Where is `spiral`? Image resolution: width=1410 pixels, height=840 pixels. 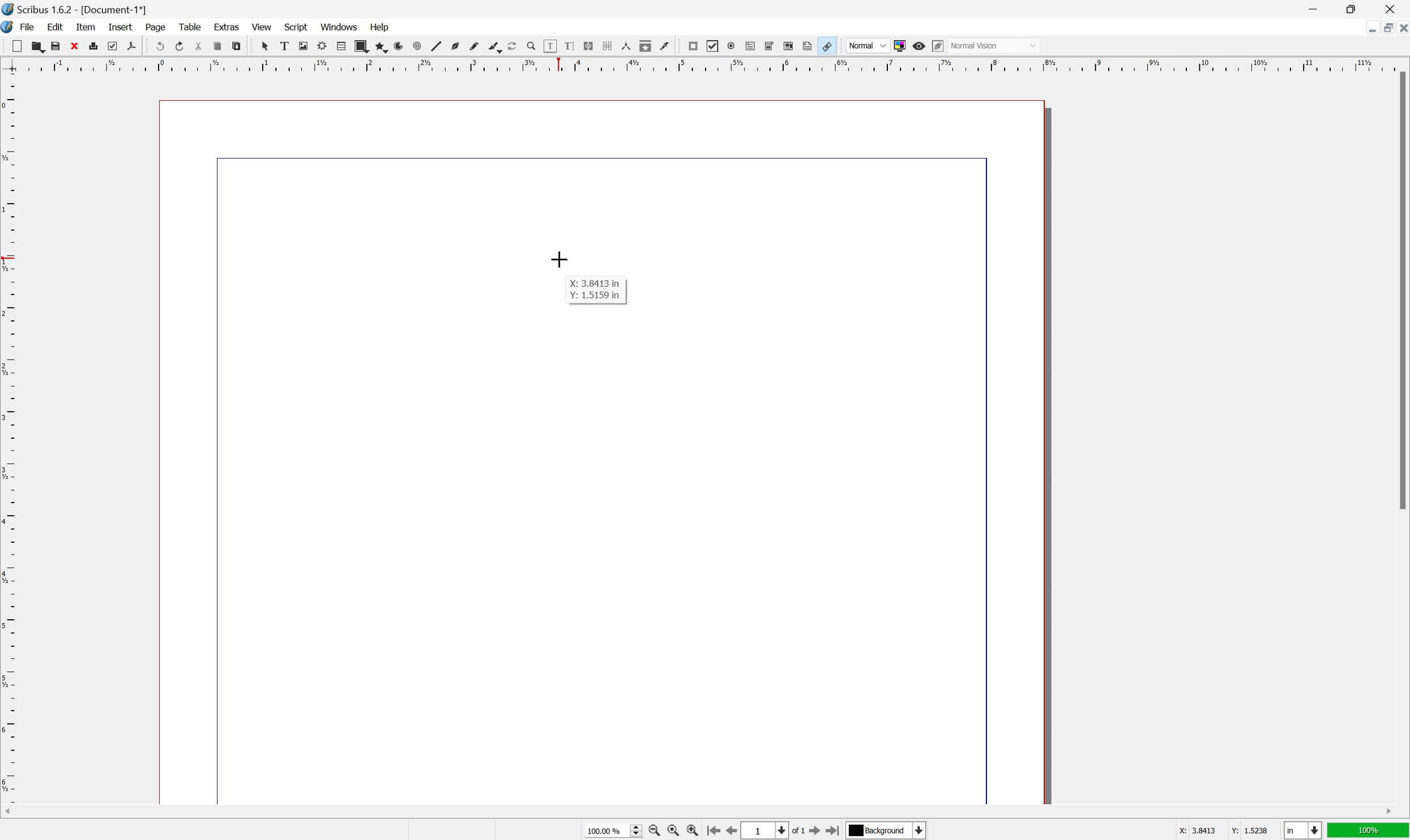
spiral is located at coordinates (418, 46).